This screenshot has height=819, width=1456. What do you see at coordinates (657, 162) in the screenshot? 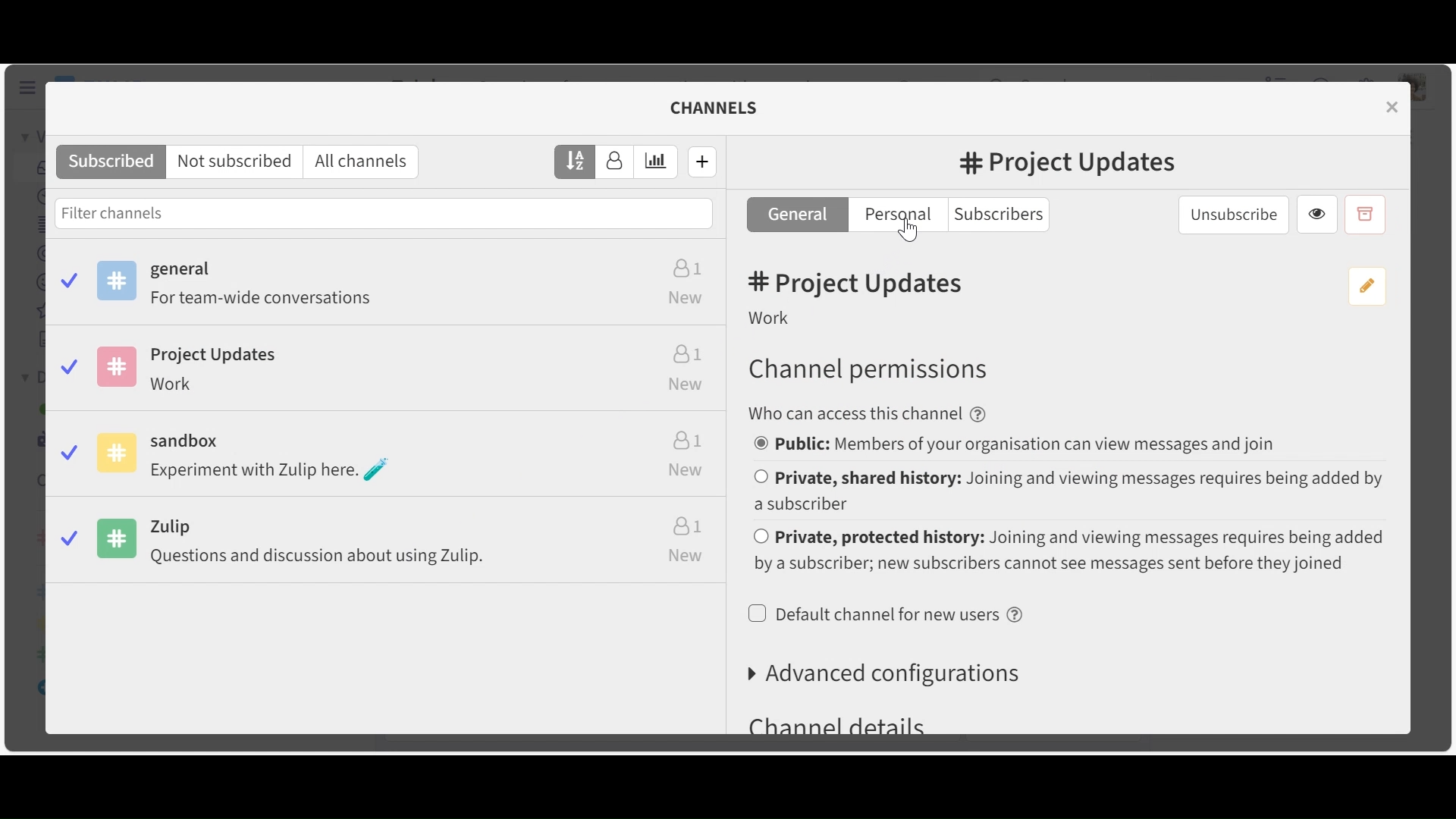
I see `Sort by estimated weekly traffic` at bounding box center [657, 162].